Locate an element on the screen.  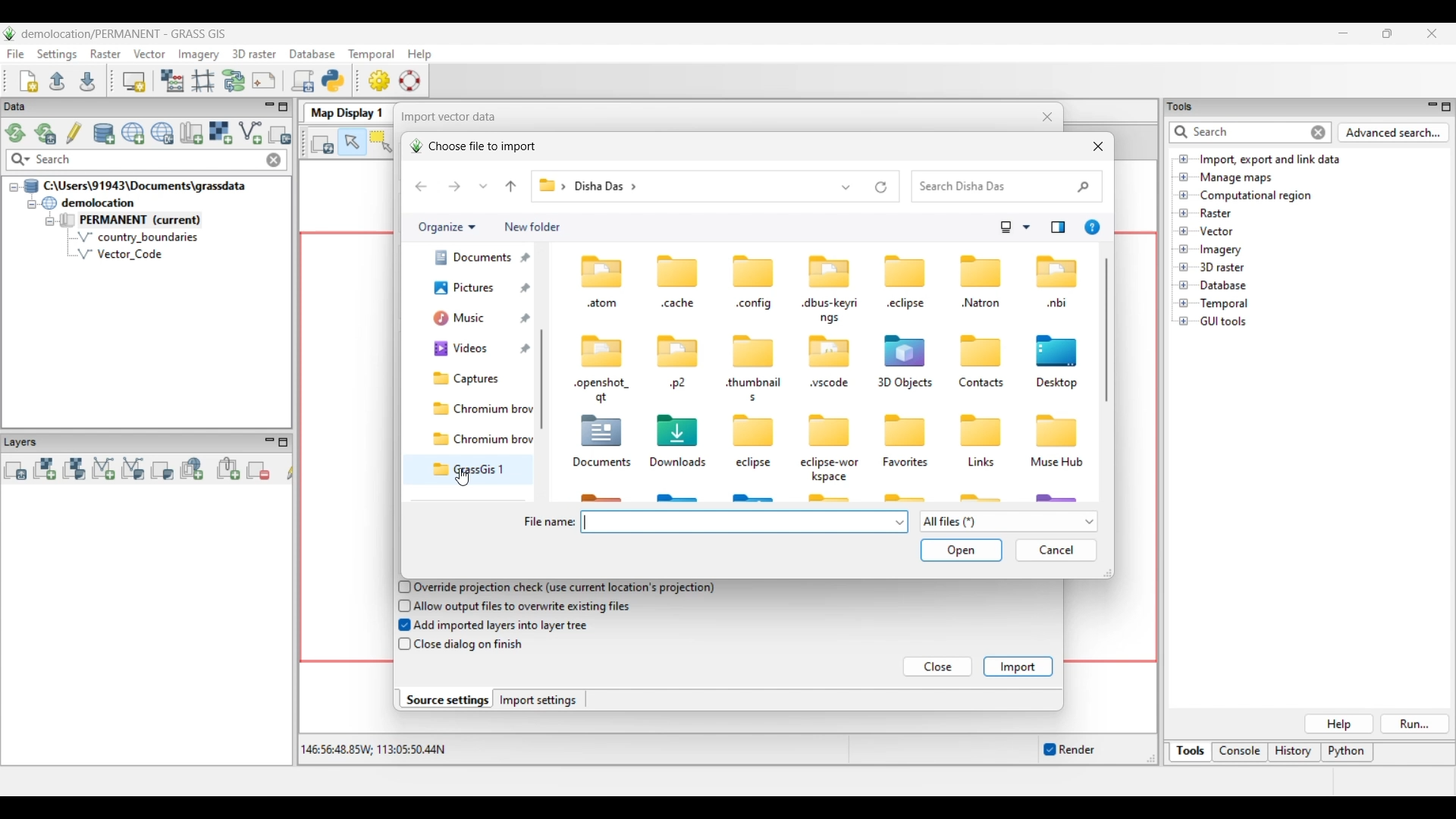
Click to open files under Import, export and link data is located at coordinates (1184, 158).